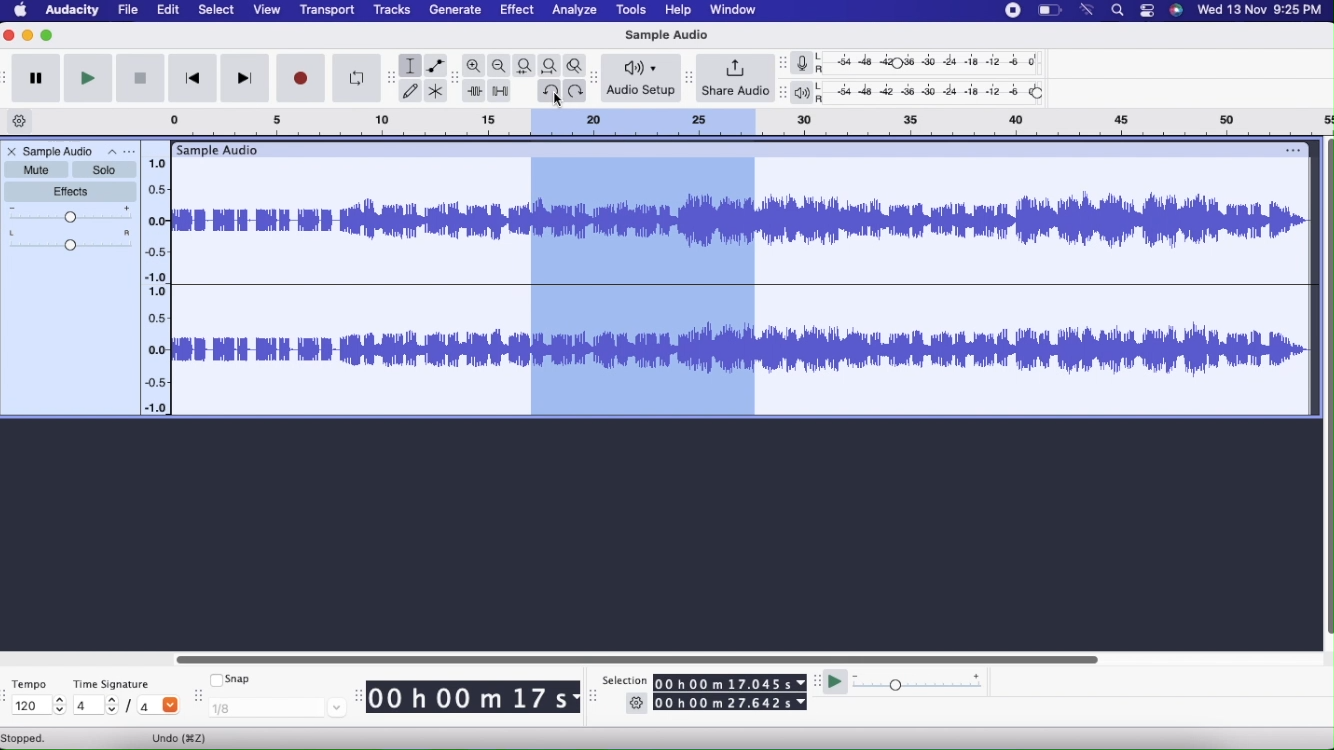 Image resolution: width=1334 pixels, height=750 pixels. What do you see at coordinates (69, 241) in the screenshot?
I see `Pan: Center` at bounding box center [69, 241].